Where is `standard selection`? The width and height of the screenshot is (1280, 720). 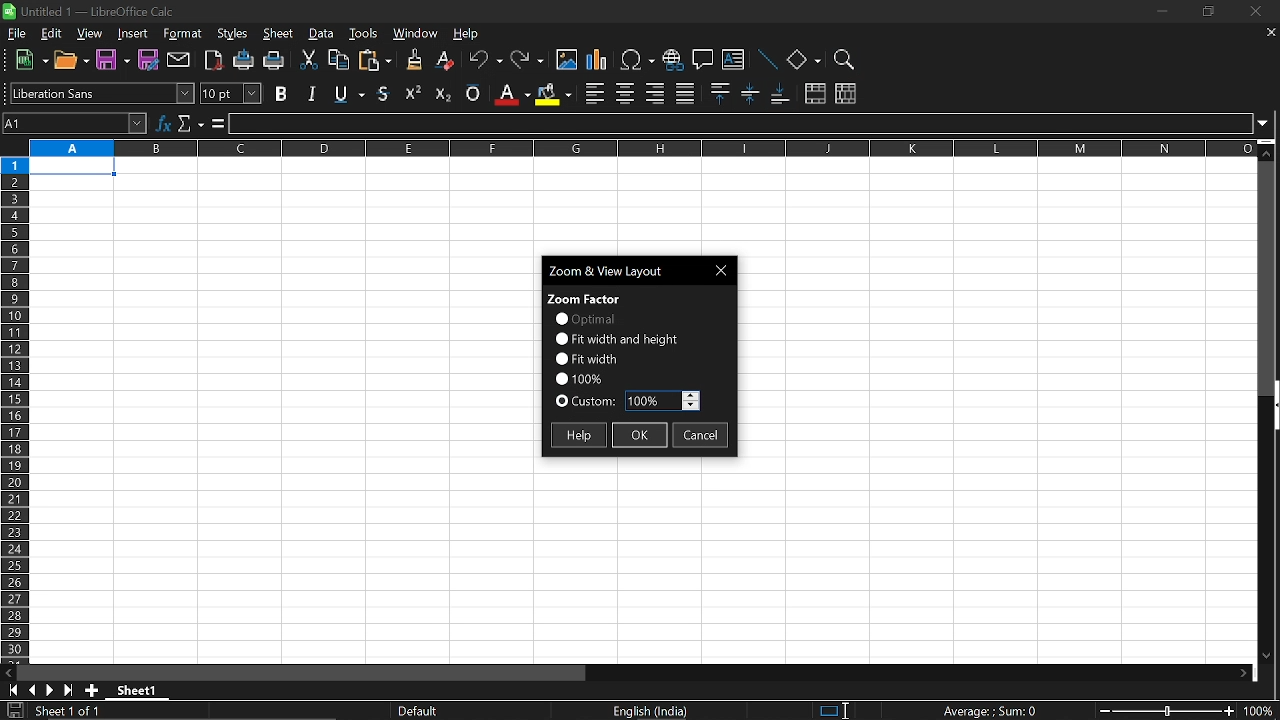 standard selection is located at coordinates (834, 710).